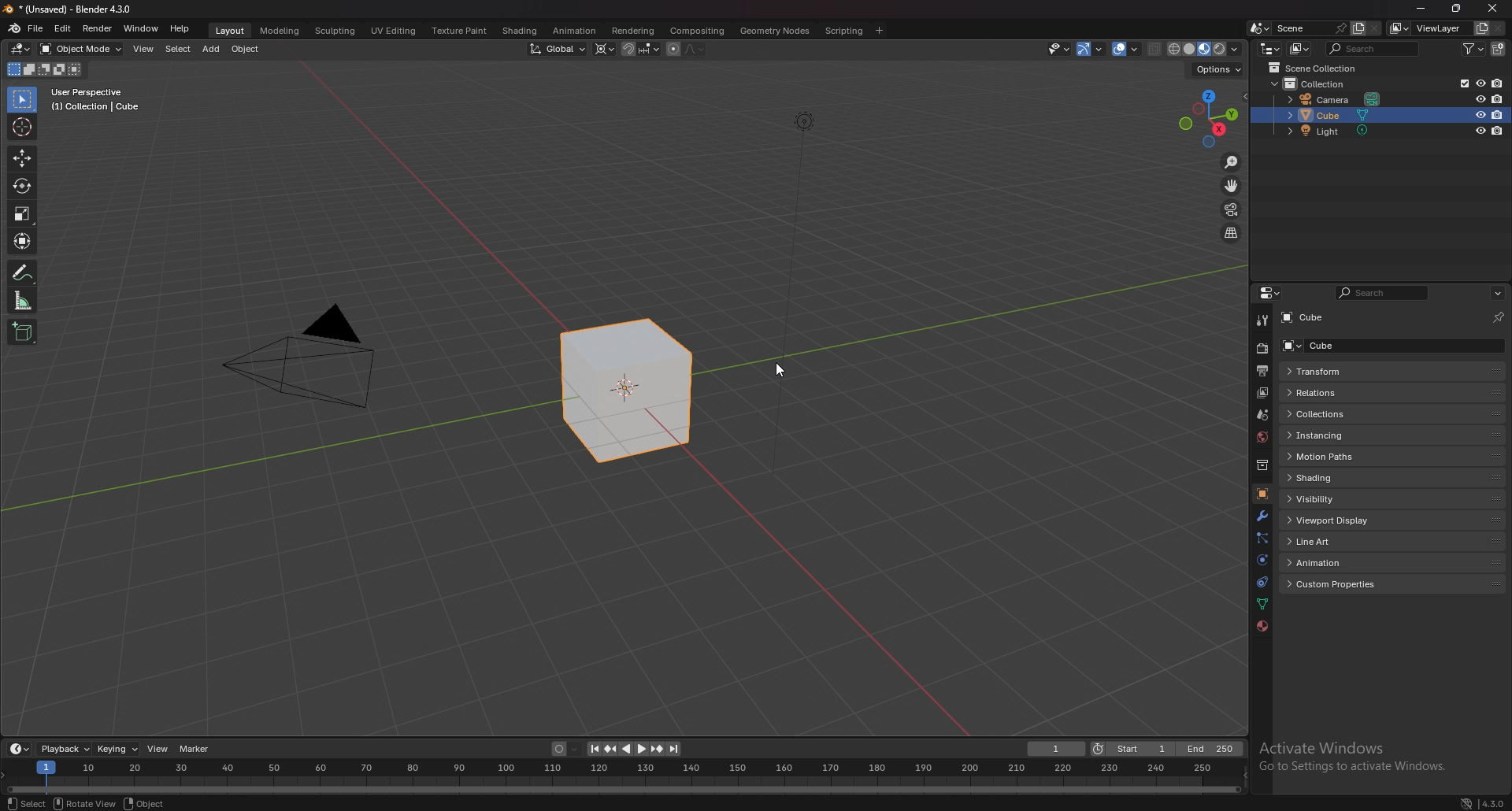 This screenshot has height=811, width=1512. Describe the element at coordinates (1495, 6) in the screenshot. I see `close` at that location.